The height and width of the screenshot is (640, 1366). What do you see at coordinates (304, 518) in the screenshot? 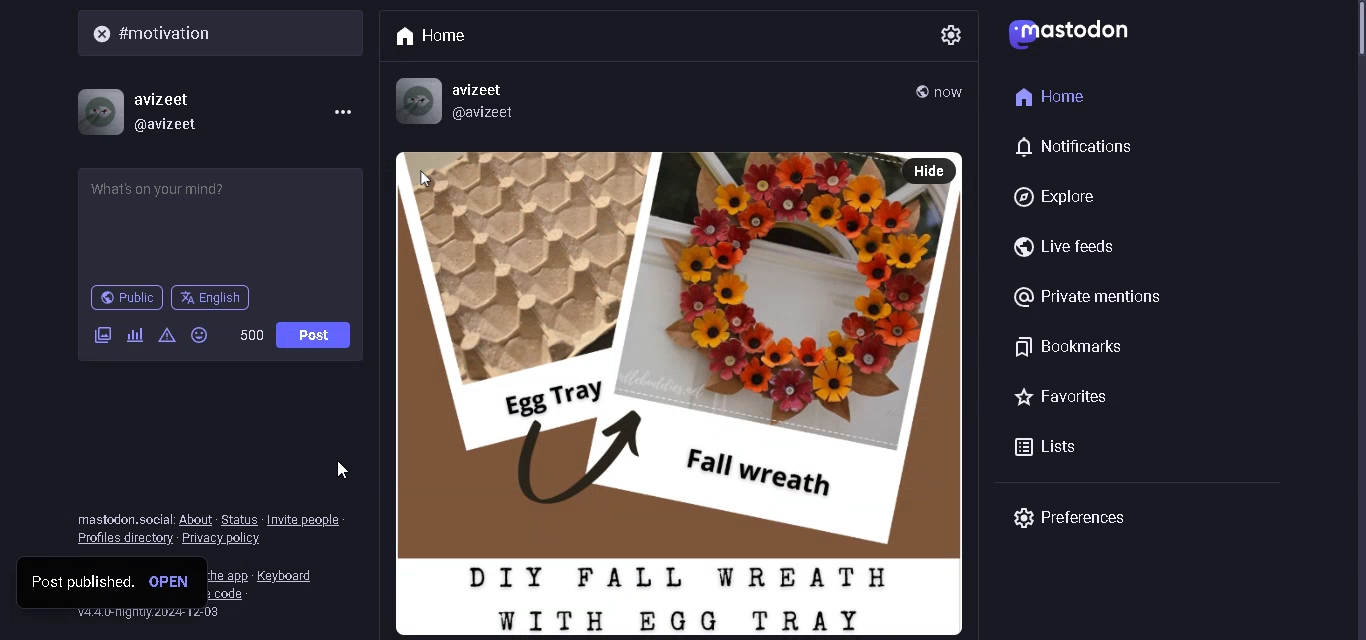
I see `invite people` at bounding box center [304, 518].